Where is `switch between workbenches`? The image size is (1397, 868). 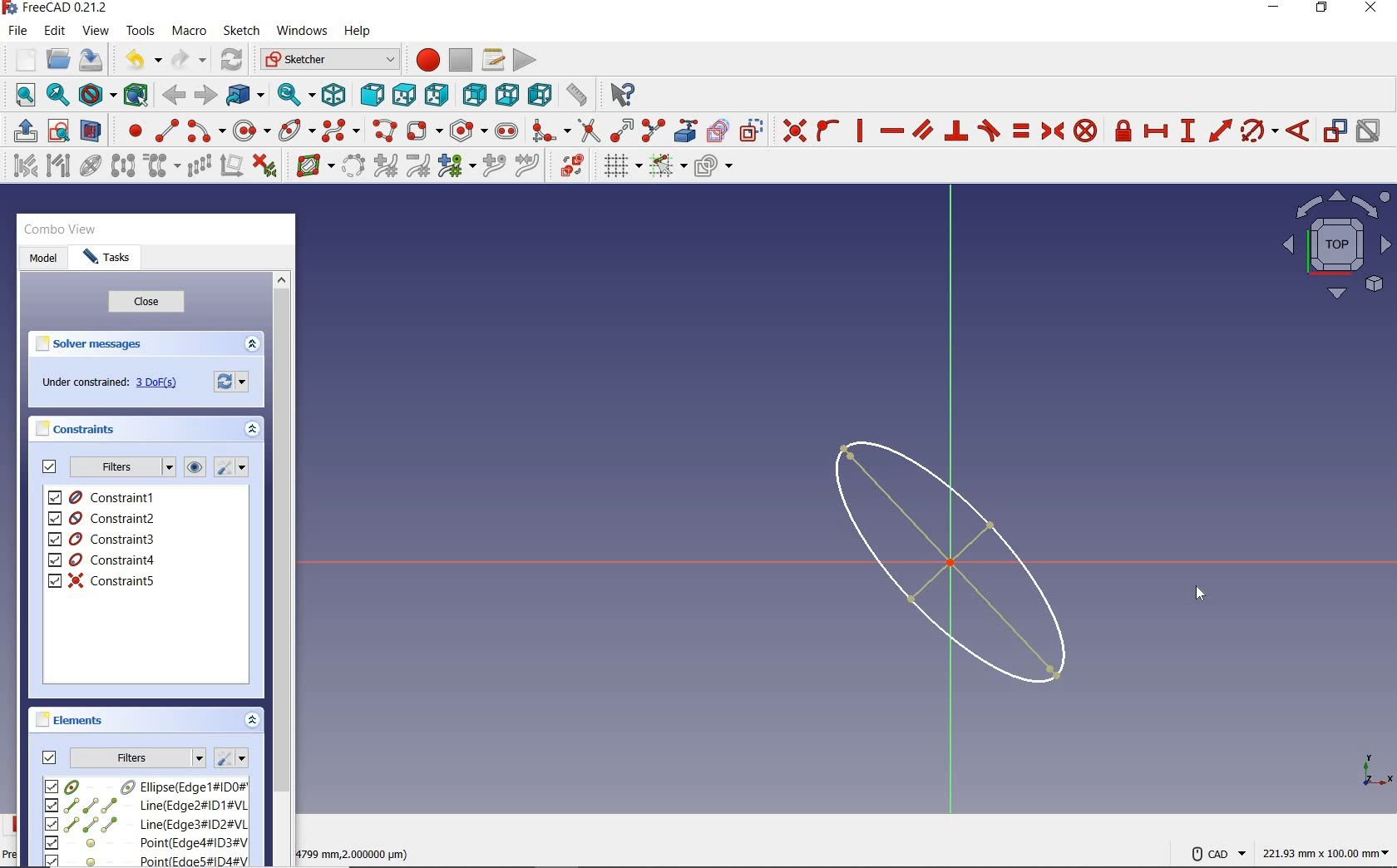
switch between workbenches is located at coordinates (329, 60).